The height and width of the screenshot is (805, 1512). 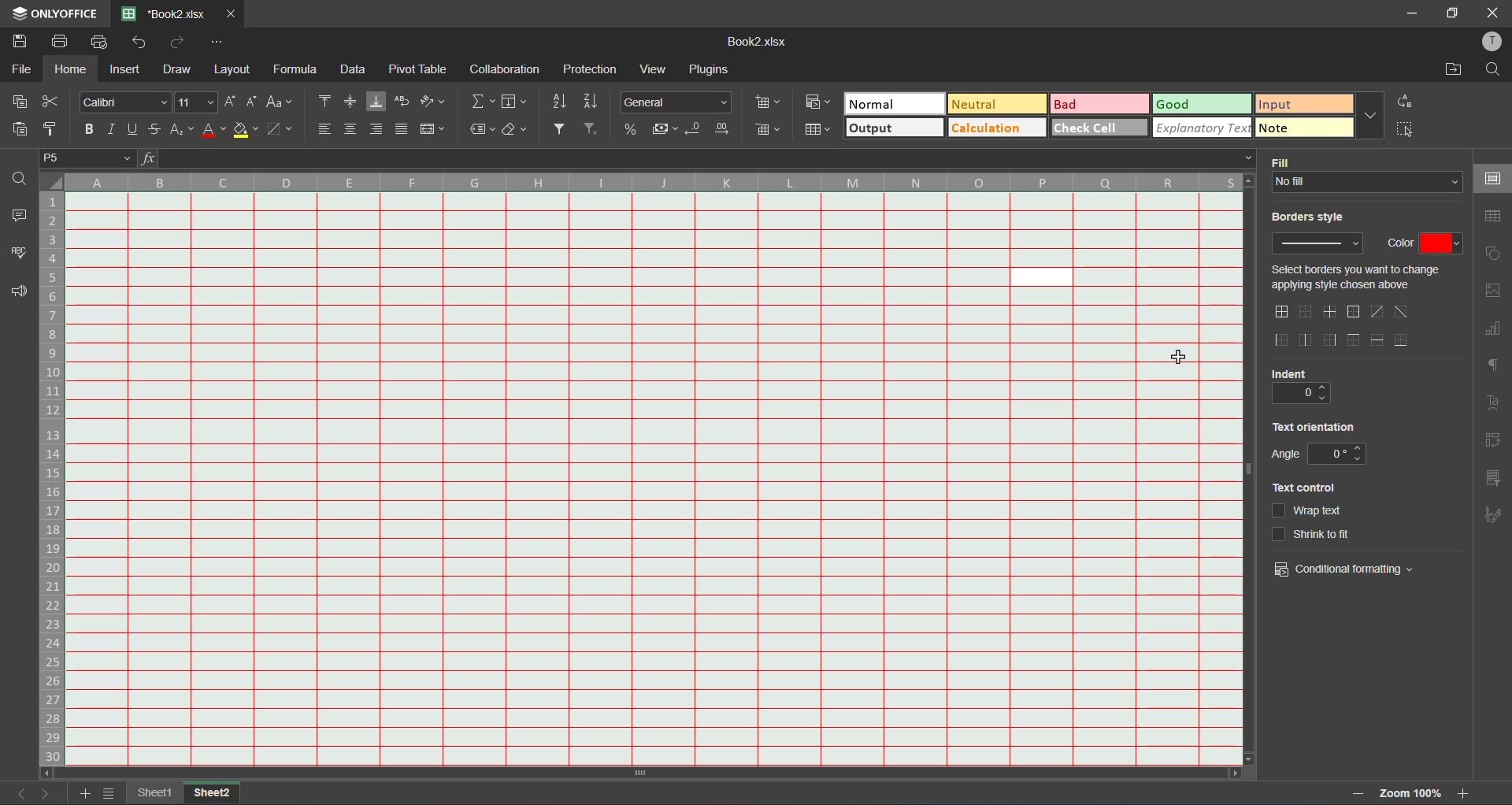 What do you see at coordinates (1352, 793) in the screenshot?
I see `zoom out` at bounding box center [1352, 793].